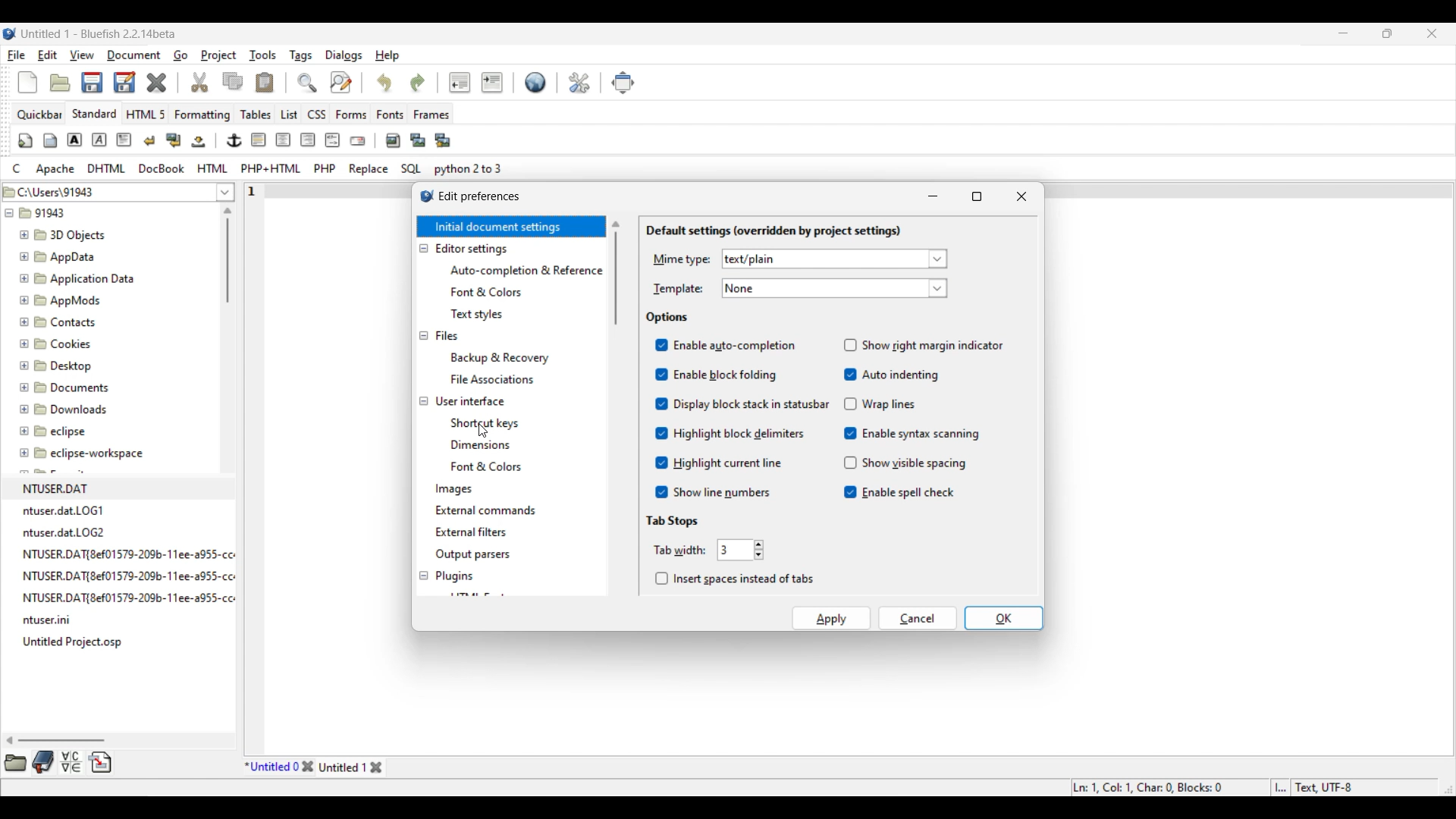 The width and height of the screenshot is (1456, 819). What do you see at coordinates (344, 55) in the screenshot?
I see `Dialogs menu` at bounding box center [344, 55].